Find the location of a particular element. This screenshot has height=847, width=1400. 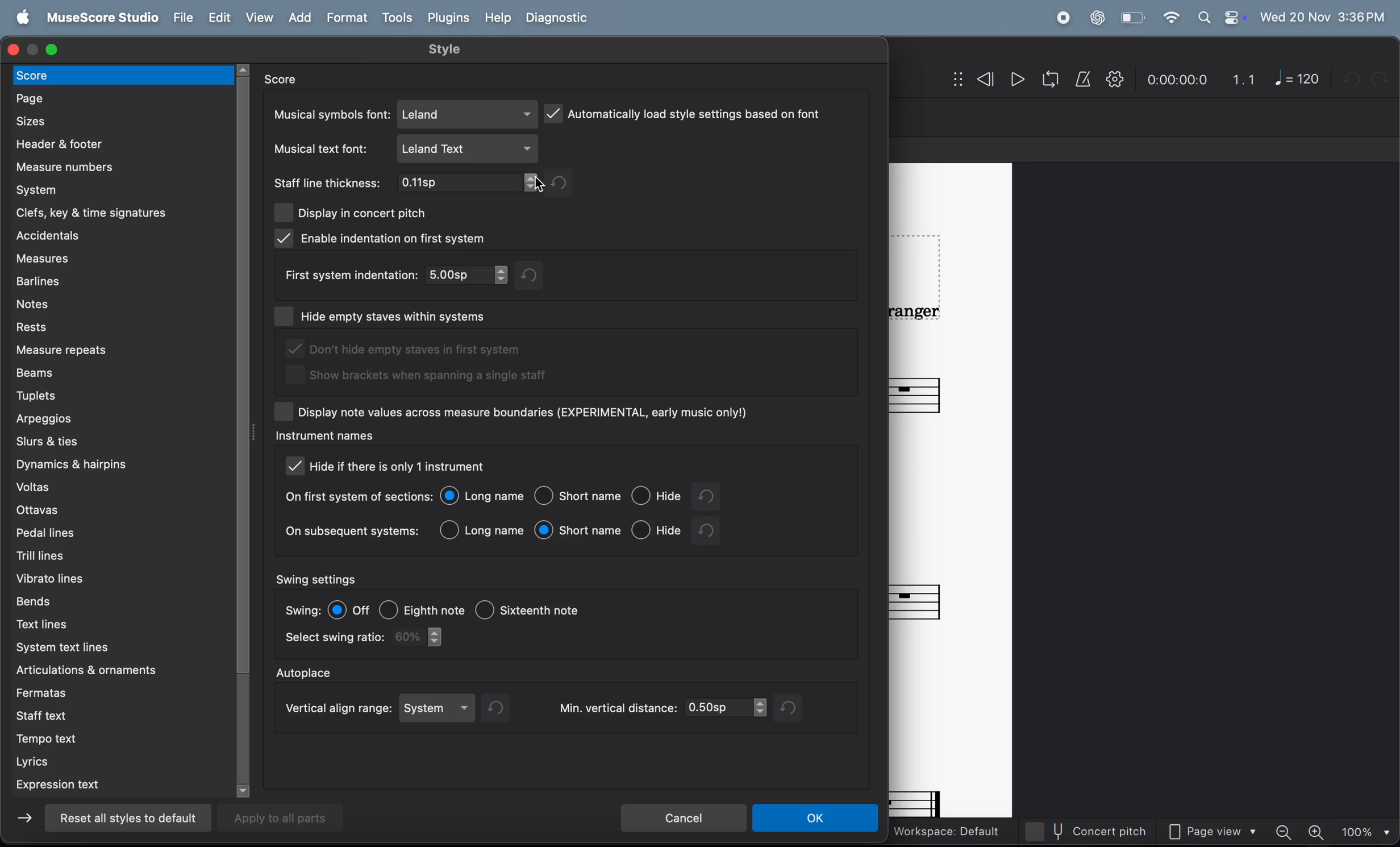

record is located at coordinates (1062, 18).